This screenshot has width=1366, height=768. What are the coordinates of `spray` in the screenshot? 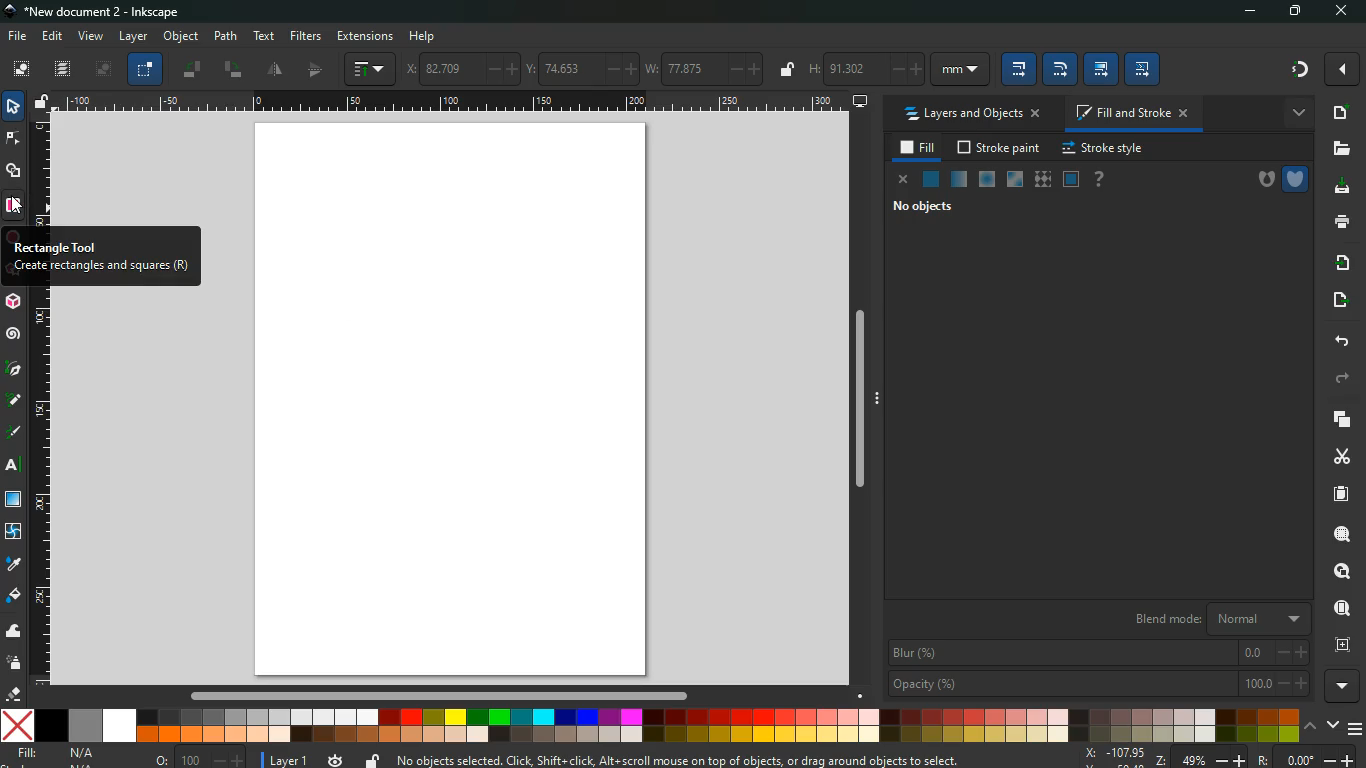 It's located at (14, 664).